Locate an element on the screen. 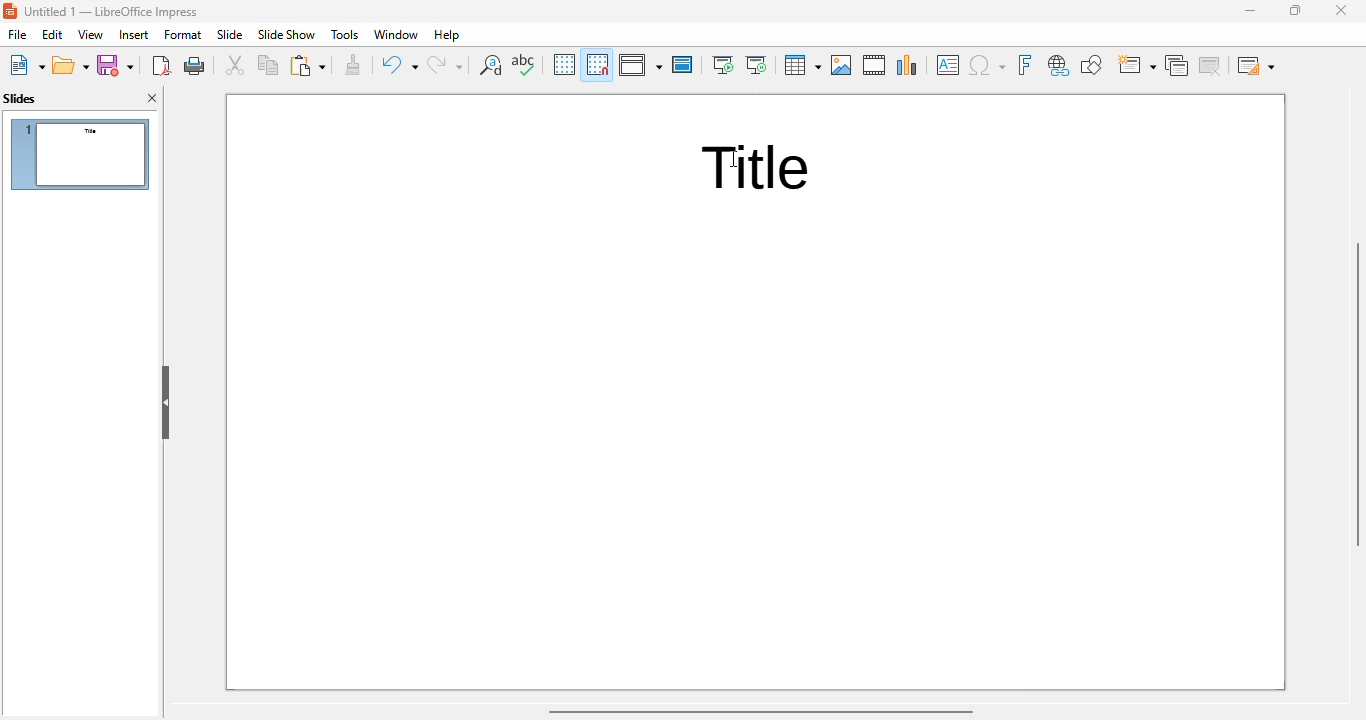  slides is located at coordinates (20, 99).